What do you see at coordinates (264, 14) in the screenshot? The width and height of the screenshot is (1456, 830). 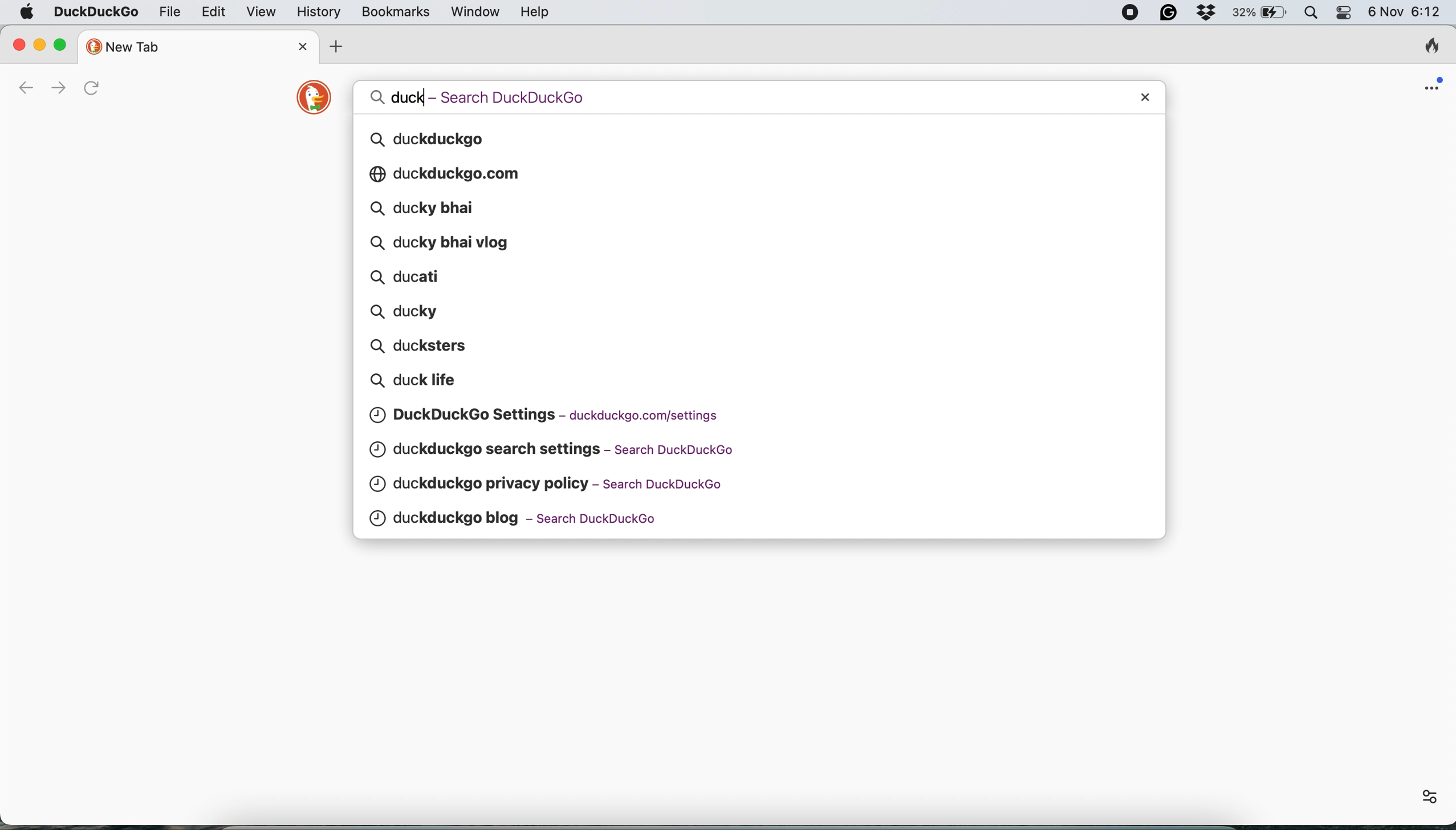 I see `view` at bounding box center [264, 14].